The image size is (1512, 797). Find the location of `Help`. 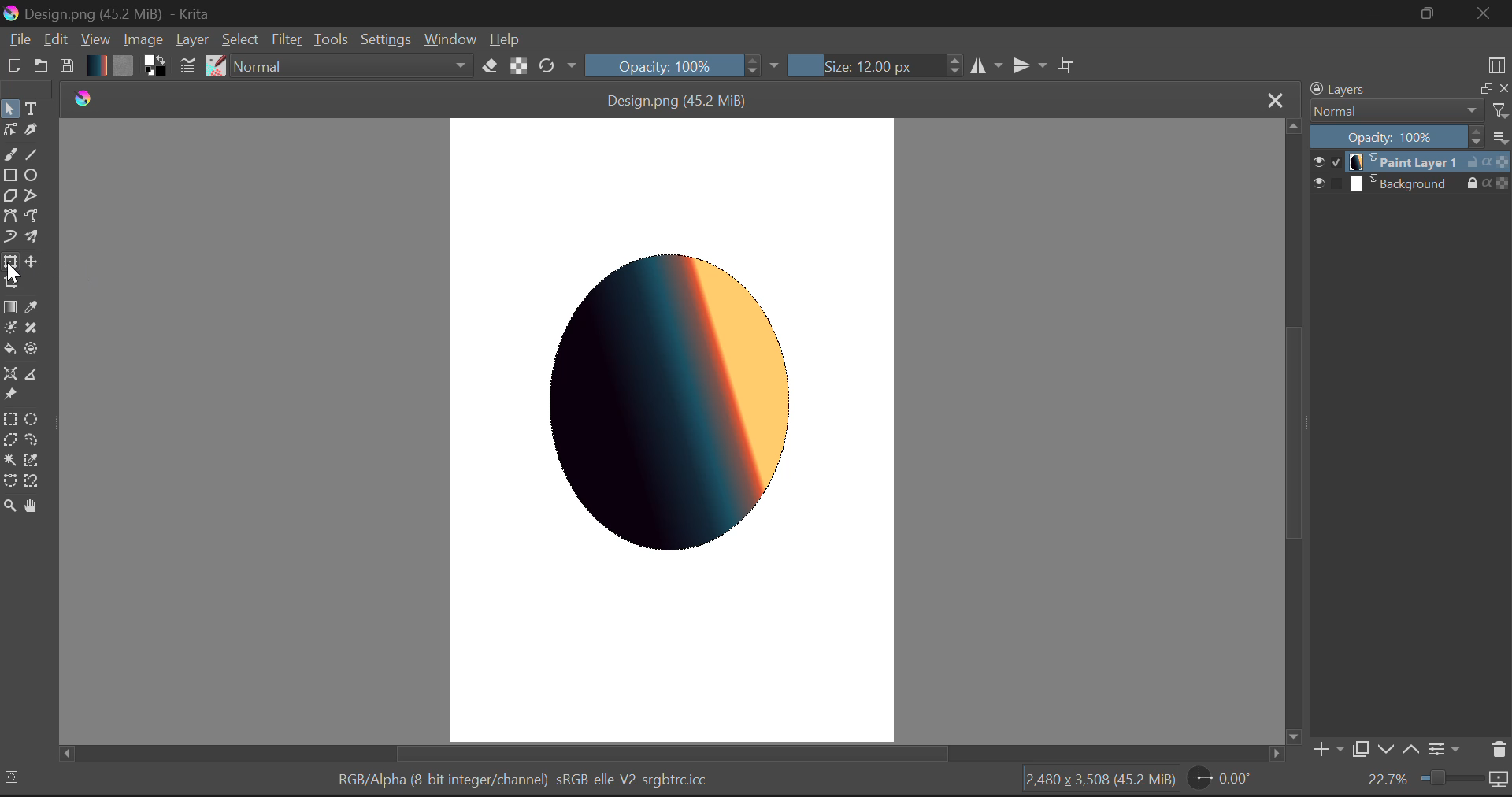

Help is located at coordinates (505, 38).